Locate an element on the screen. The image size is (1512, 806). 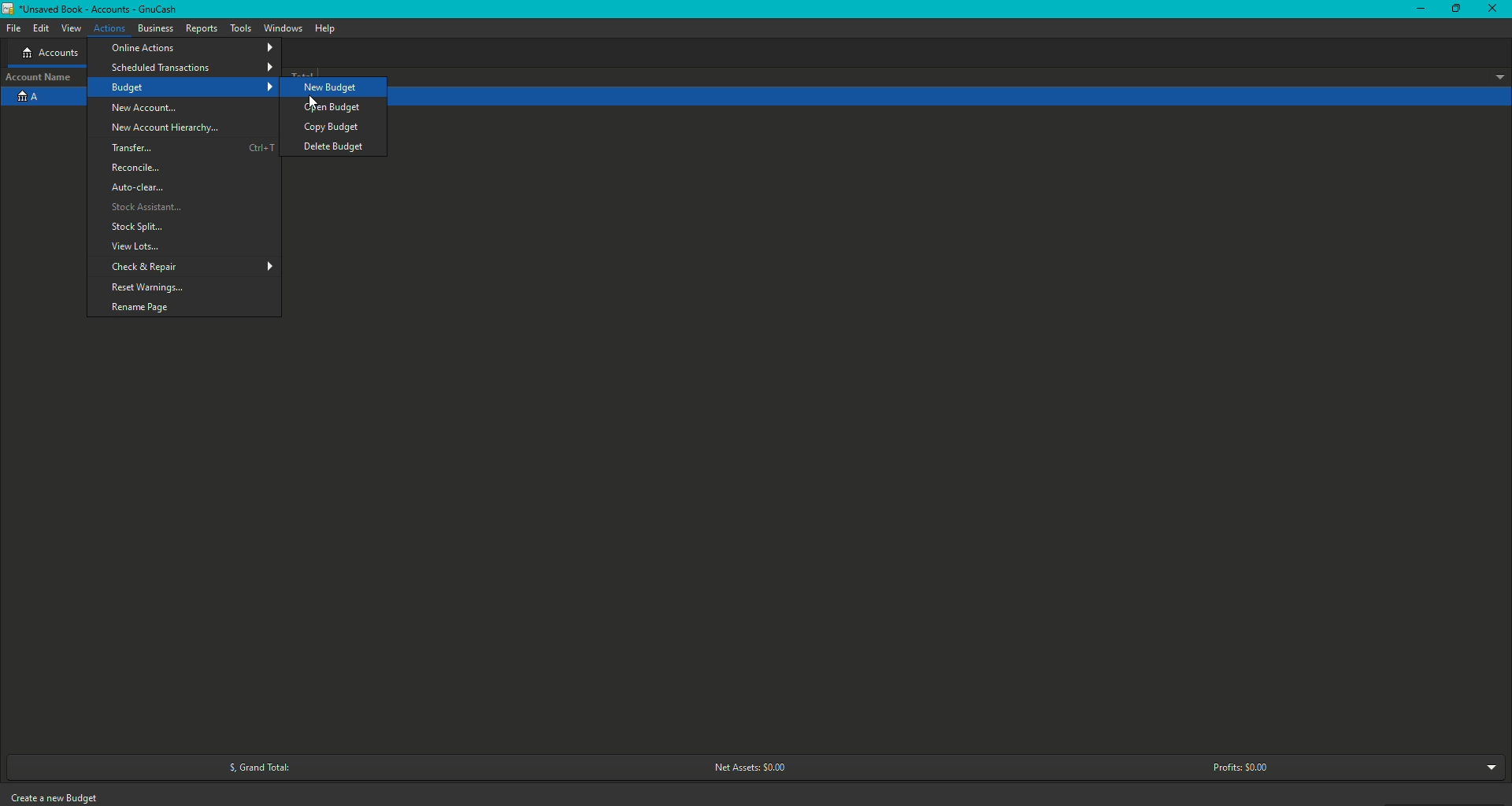
Stock Assistant is located at coordinates (151, 206).